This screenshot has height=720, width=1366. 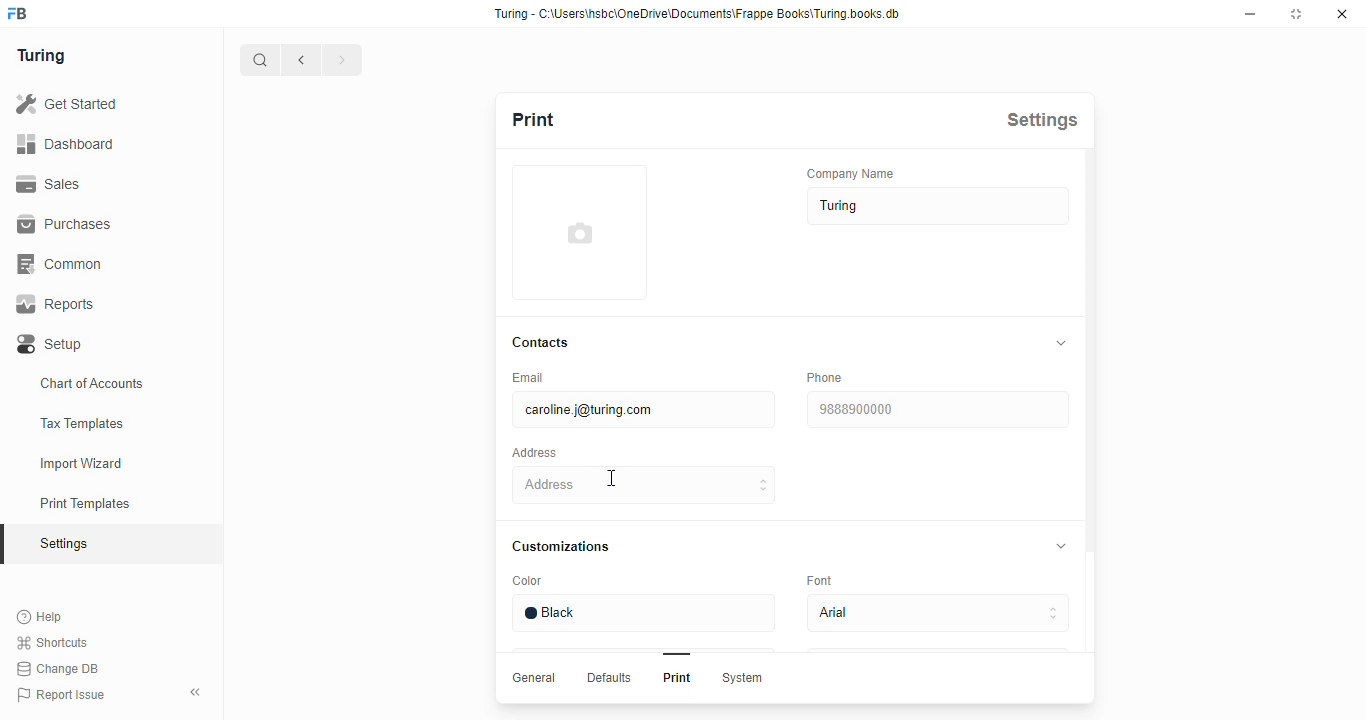 I want to click on sales, so click(x=52, y=184).